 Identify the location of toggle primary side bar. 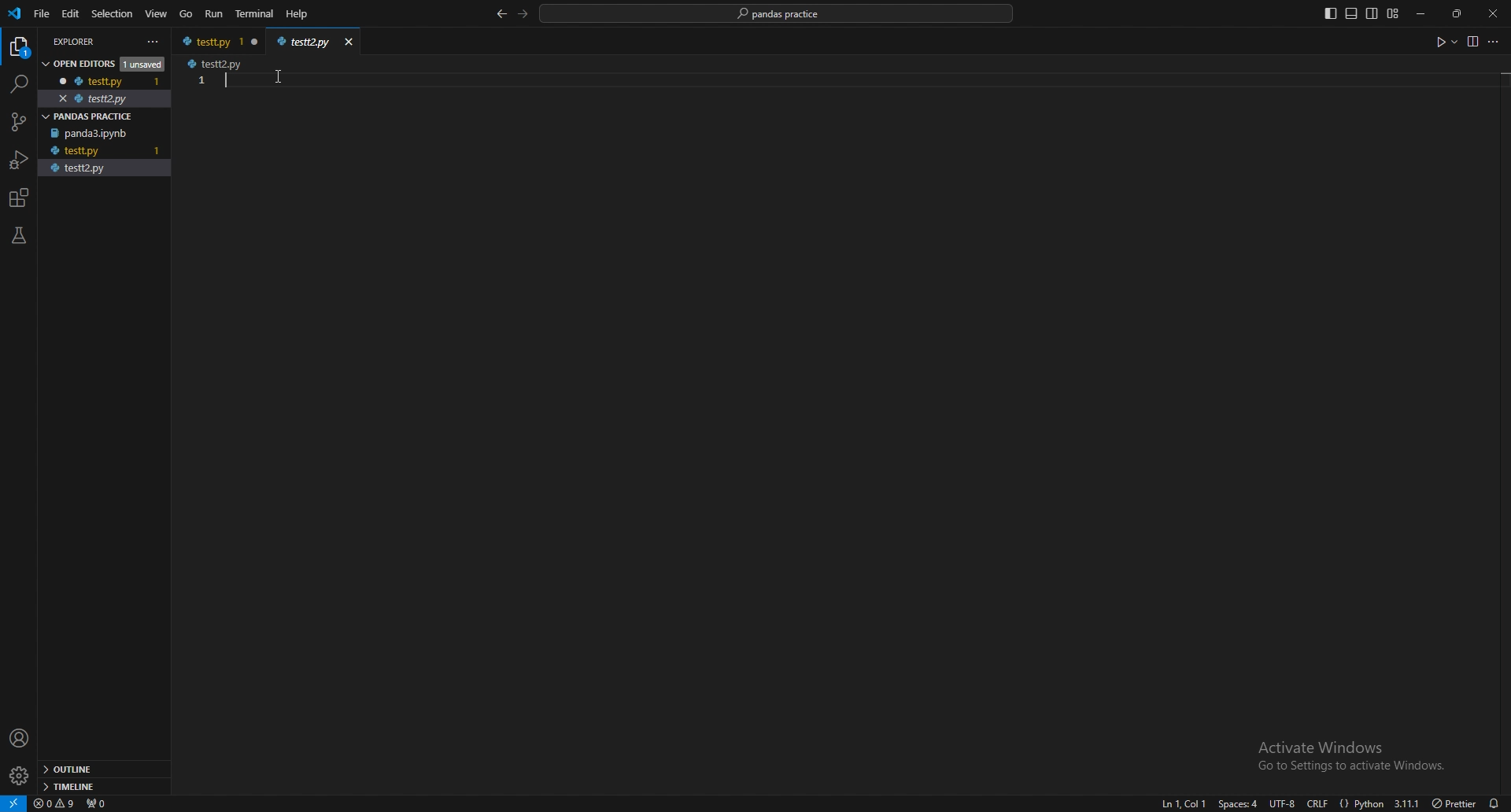
(1332, 13).